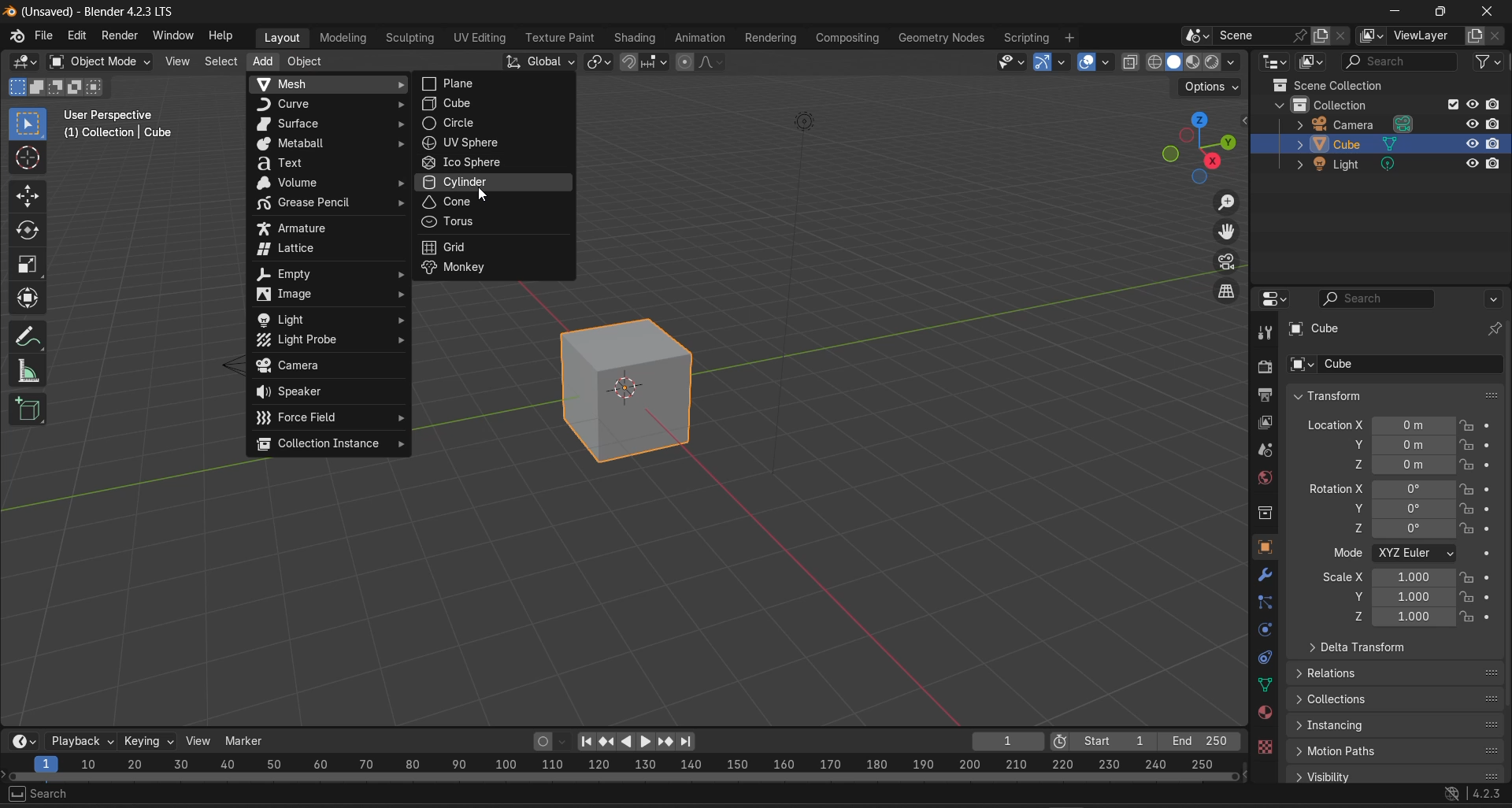 This screenshot has height=808, width=1512. Describe the element at coordinates (1488, 794) in the screenshot. I see `4.2.3` at that location.